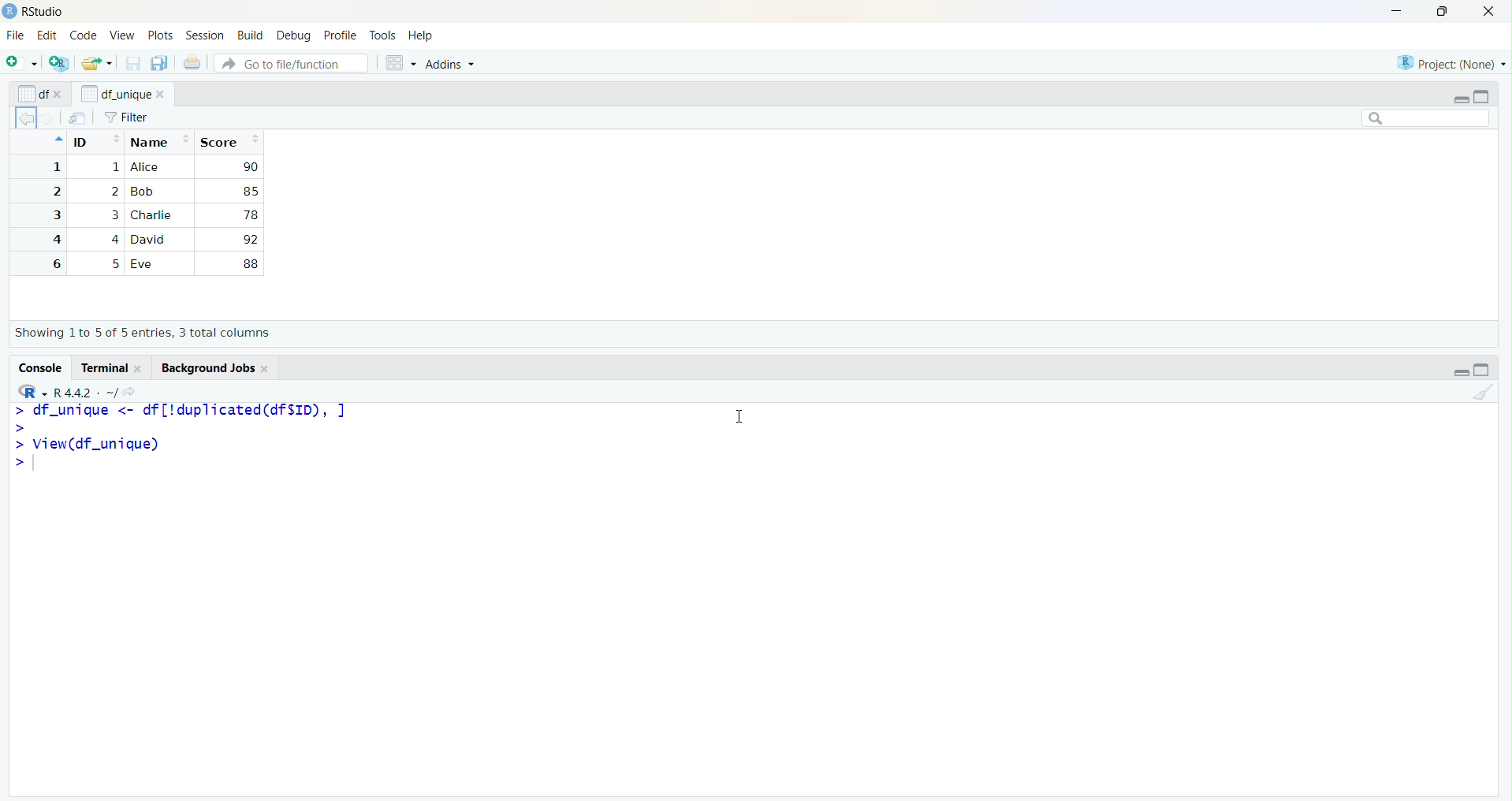 This screenshot has height=801, width=1512. I want to click on 85, so click(249, 263).